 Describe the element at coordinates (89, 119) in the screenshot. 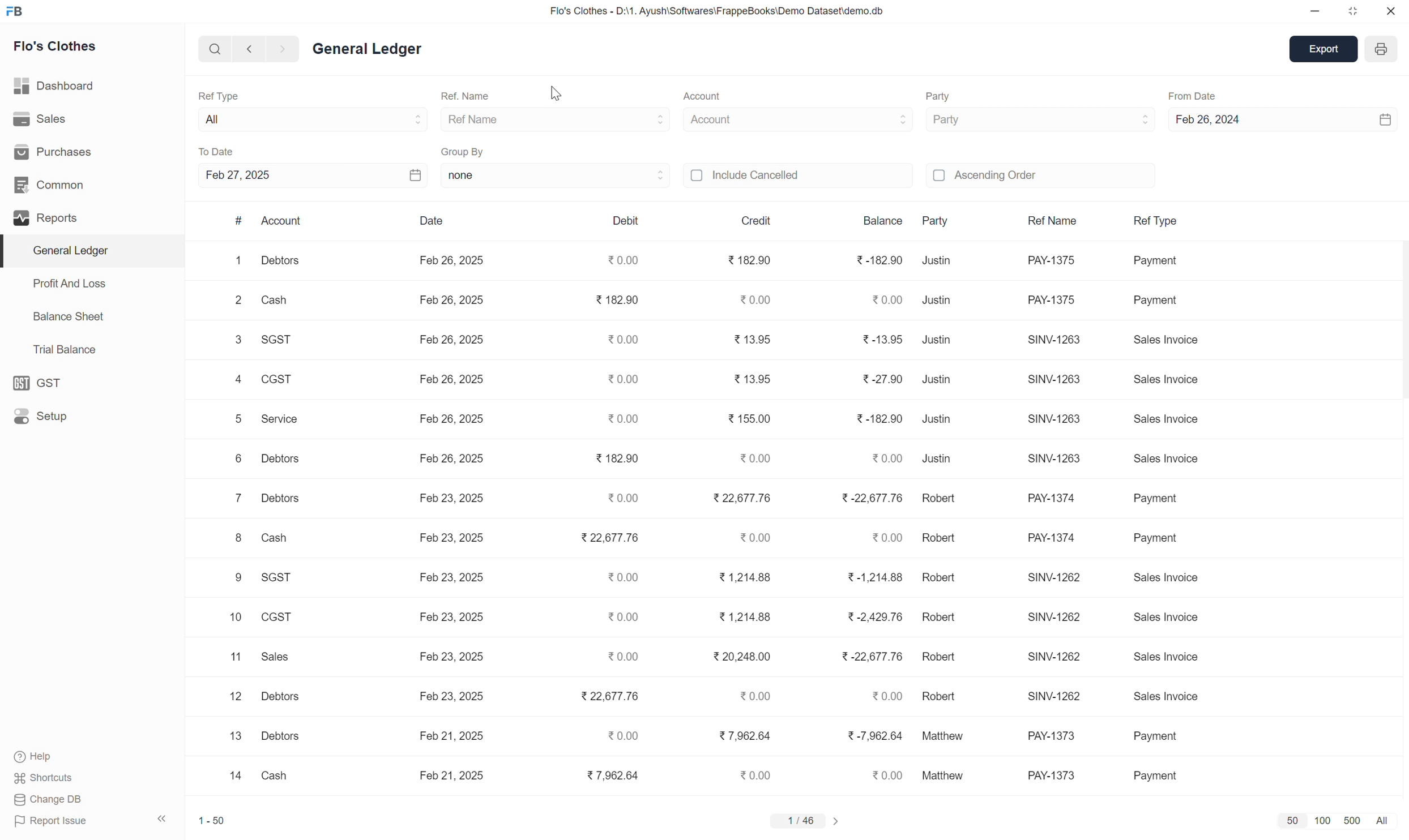

I see `sales` at that location.